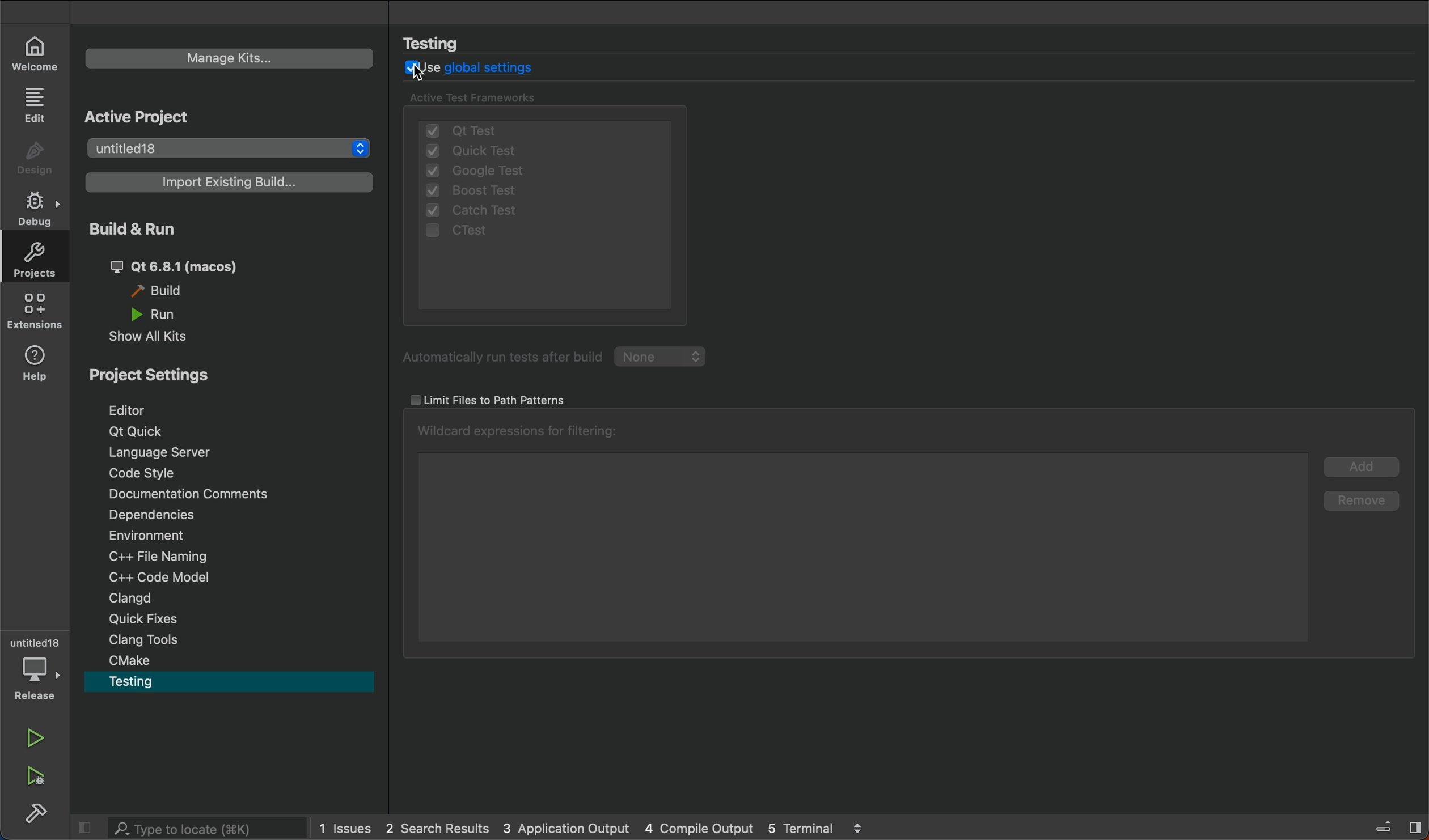  Describe the element at coordinates (478, 234) in the screenshot. I see `ctest` at that location.